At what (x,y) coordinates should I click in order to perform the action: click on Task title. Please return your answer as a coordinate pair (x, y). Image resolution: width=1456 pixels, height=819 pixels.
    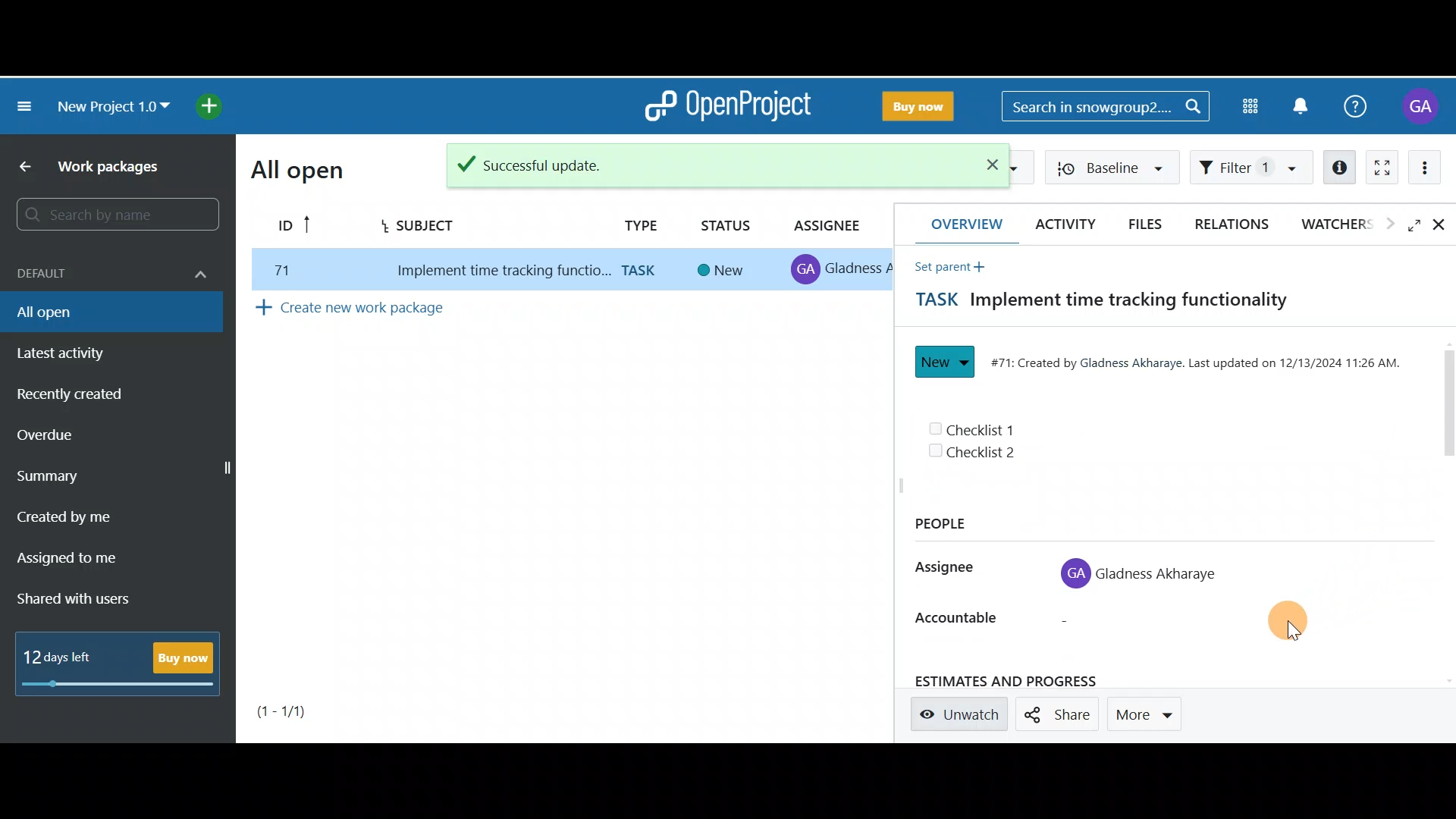
    Looking at the image, I should click on (1091, 303).